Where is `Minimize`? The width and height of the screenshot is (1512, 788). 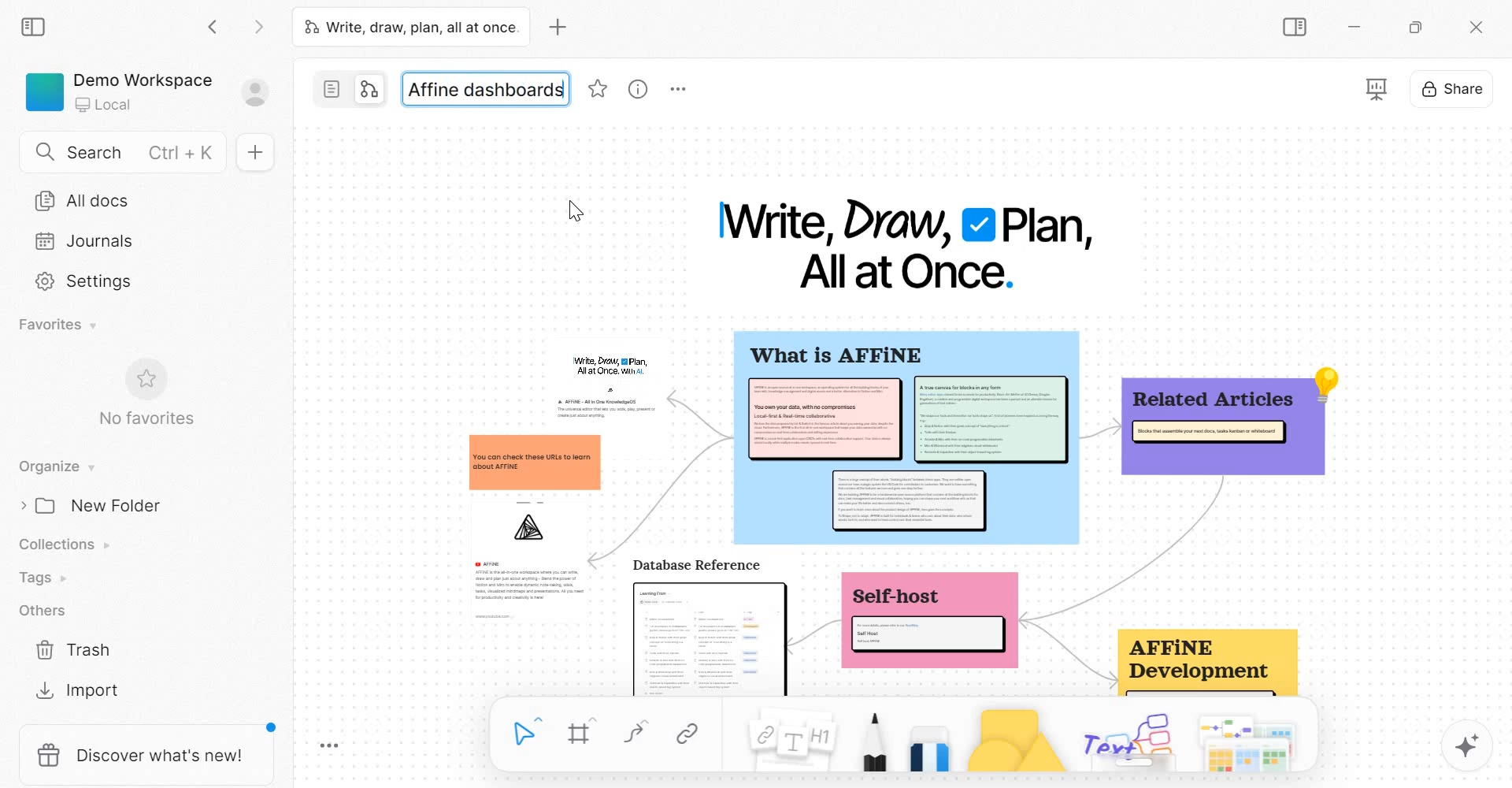
Minimize is located at coordinates (1353, 28).